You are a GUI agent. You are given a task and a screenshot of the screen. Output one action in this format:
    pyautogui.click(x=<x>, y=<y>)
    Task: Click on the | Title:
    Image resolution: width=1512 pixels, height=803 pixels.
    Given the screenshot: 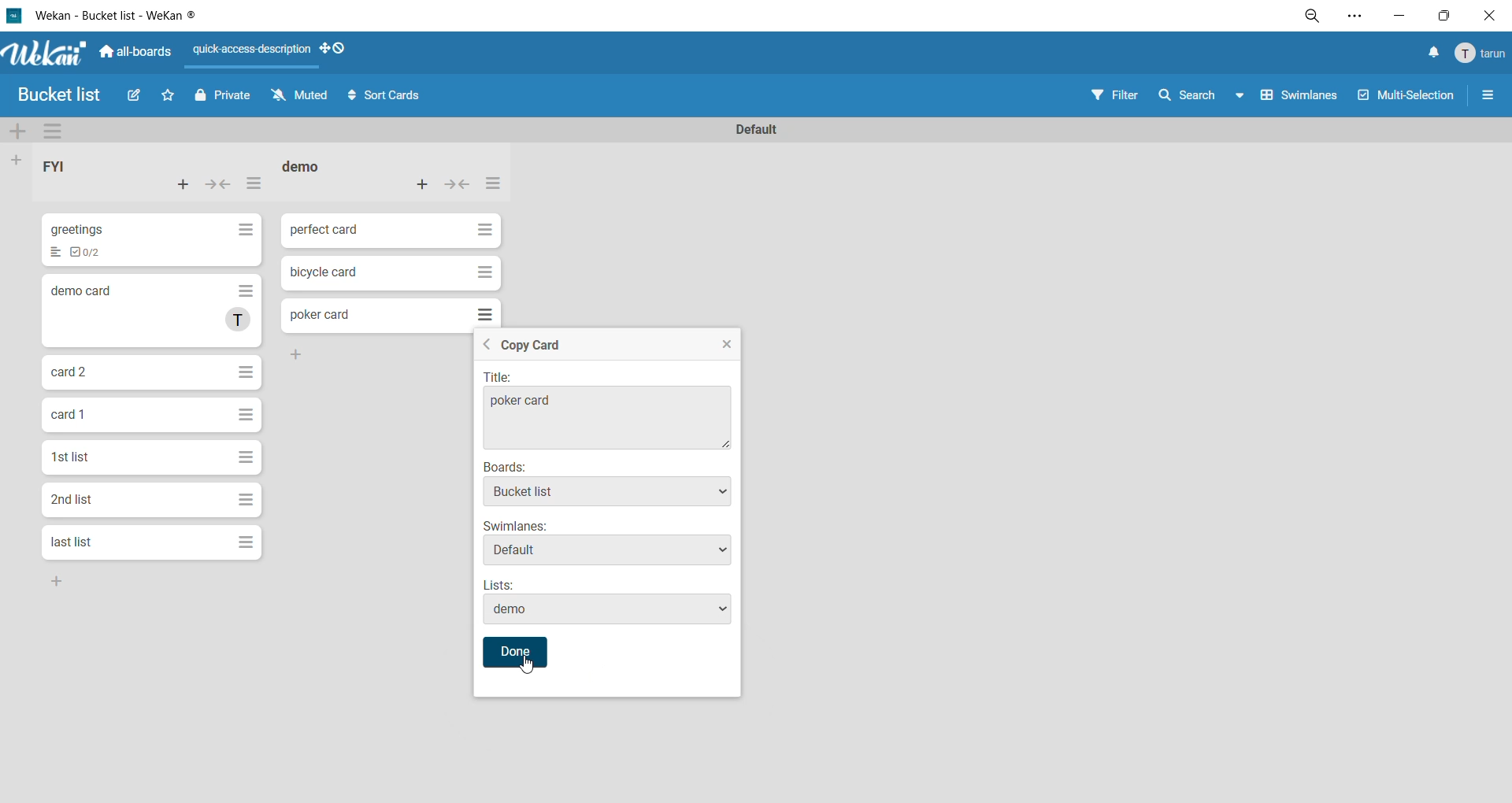 What is the action you would take?
    pyautogui.click(x=507, y=376)
    